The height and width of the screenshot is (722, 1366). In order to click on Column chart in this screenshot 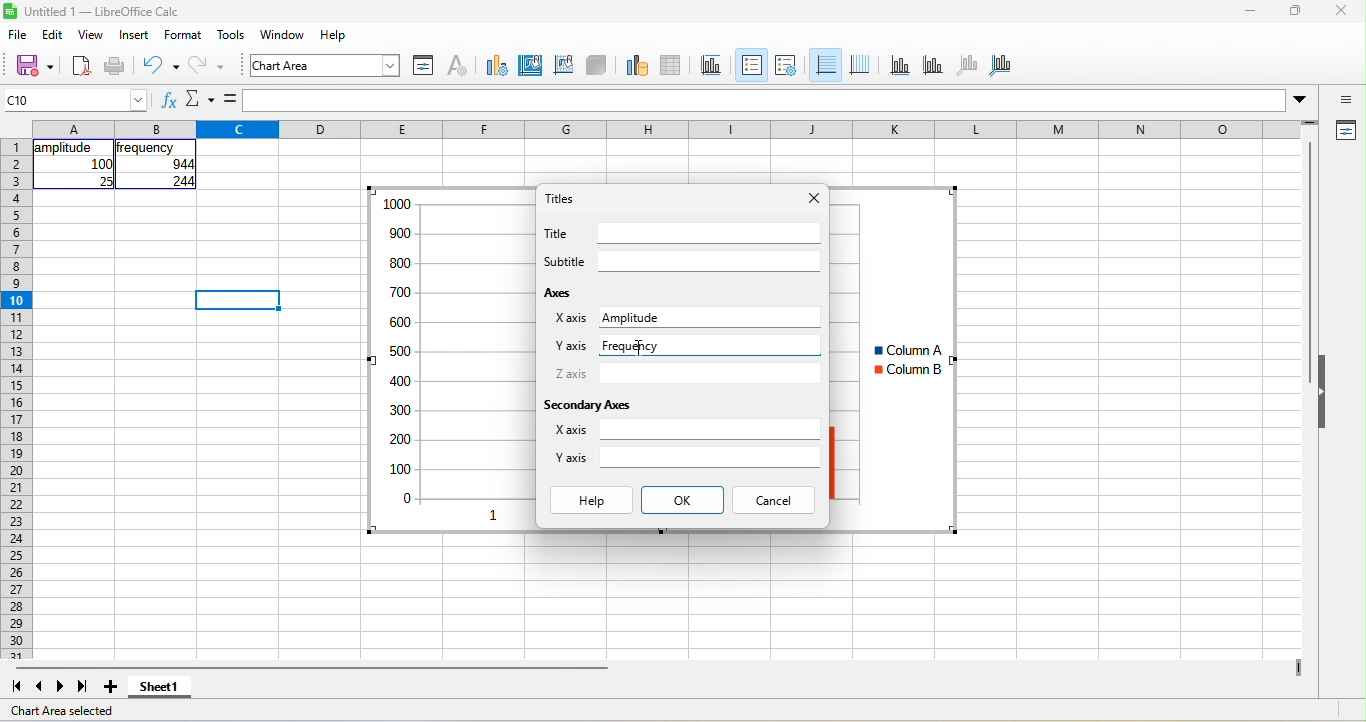, I will do `click(894, 359)`.